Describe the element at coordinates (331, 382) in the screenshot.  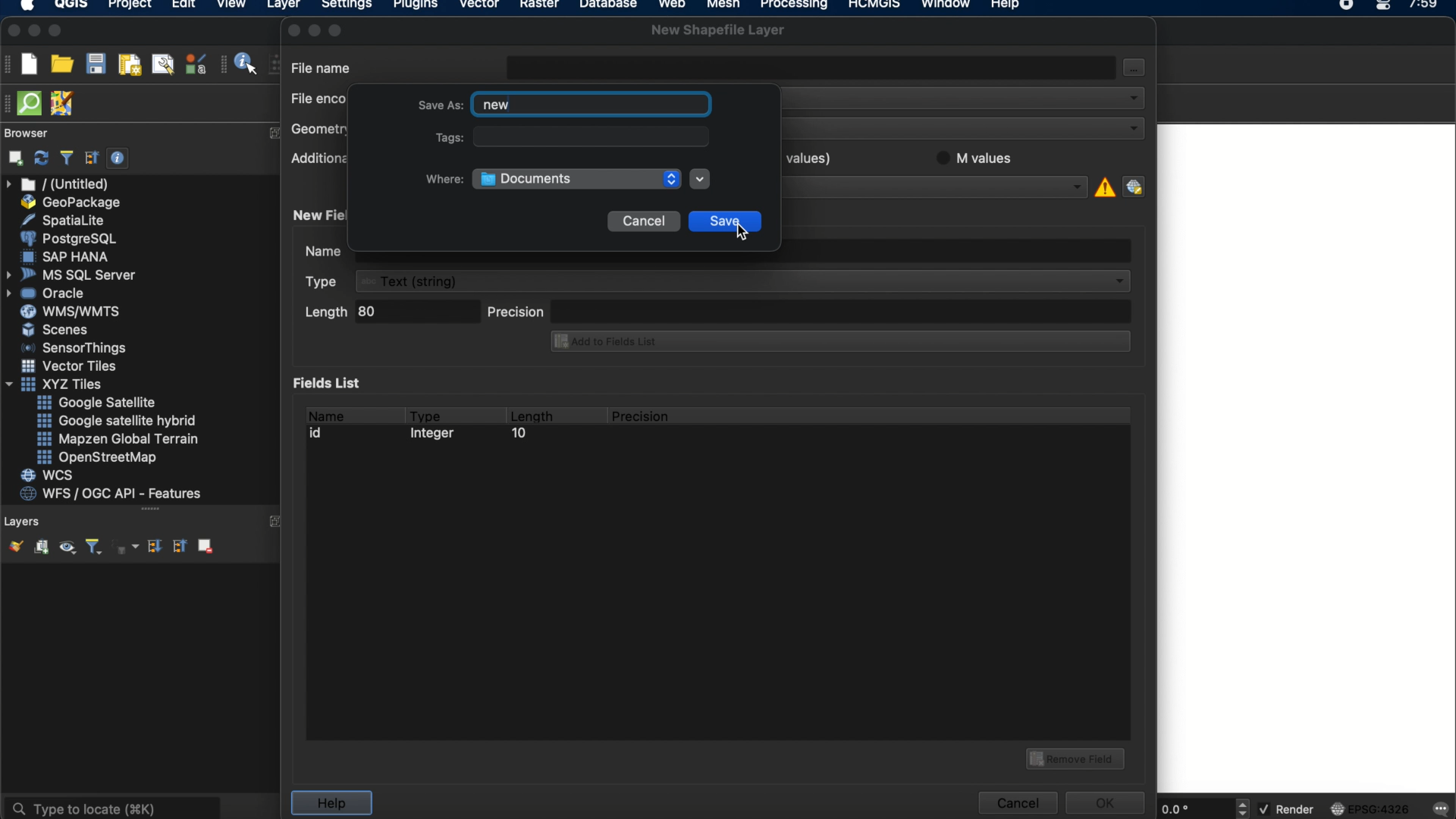
I see `fields list` at that location.